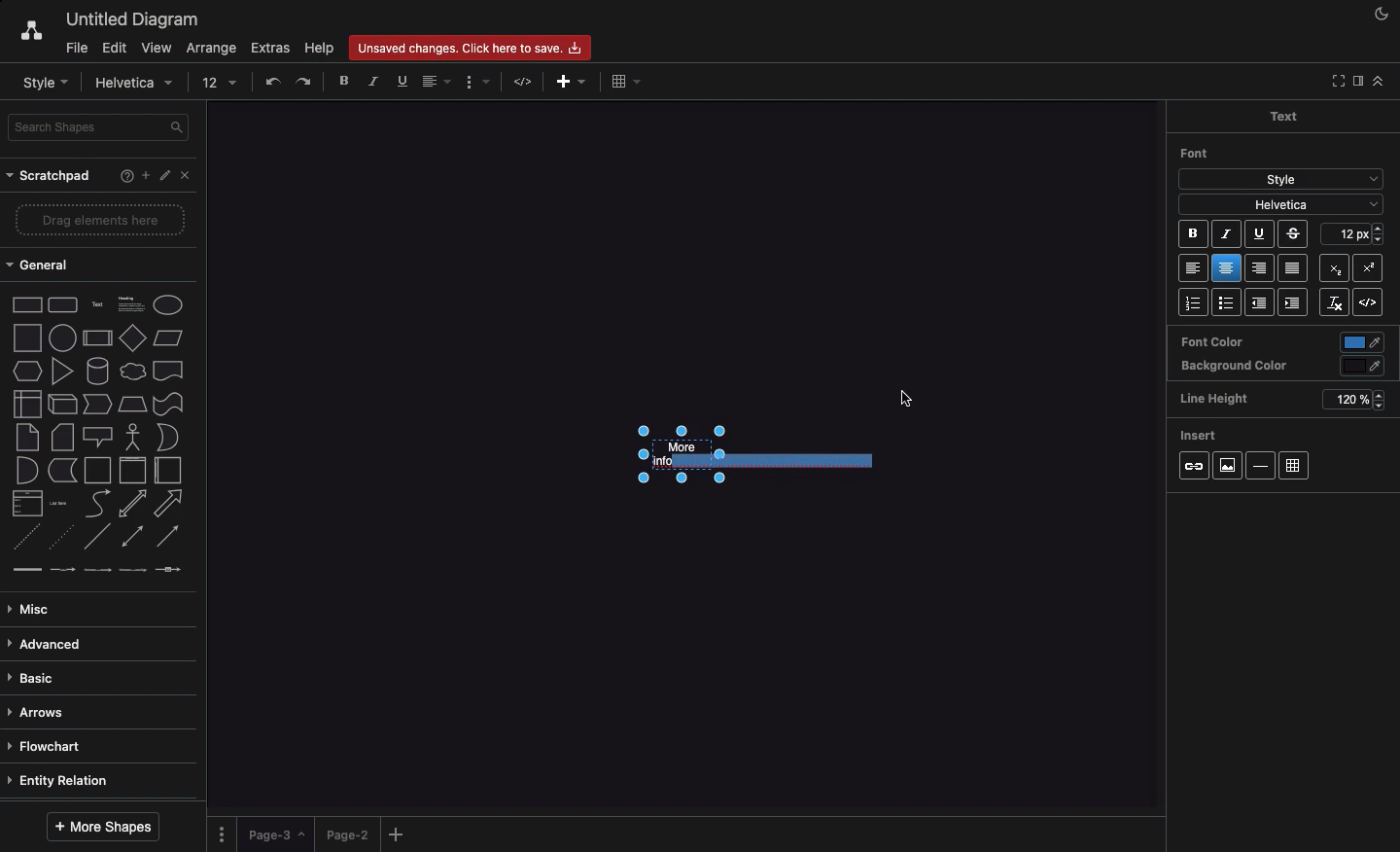  Describe the element at coordinates (25, 537) in the screenshot. I see `dashed line` at that location.